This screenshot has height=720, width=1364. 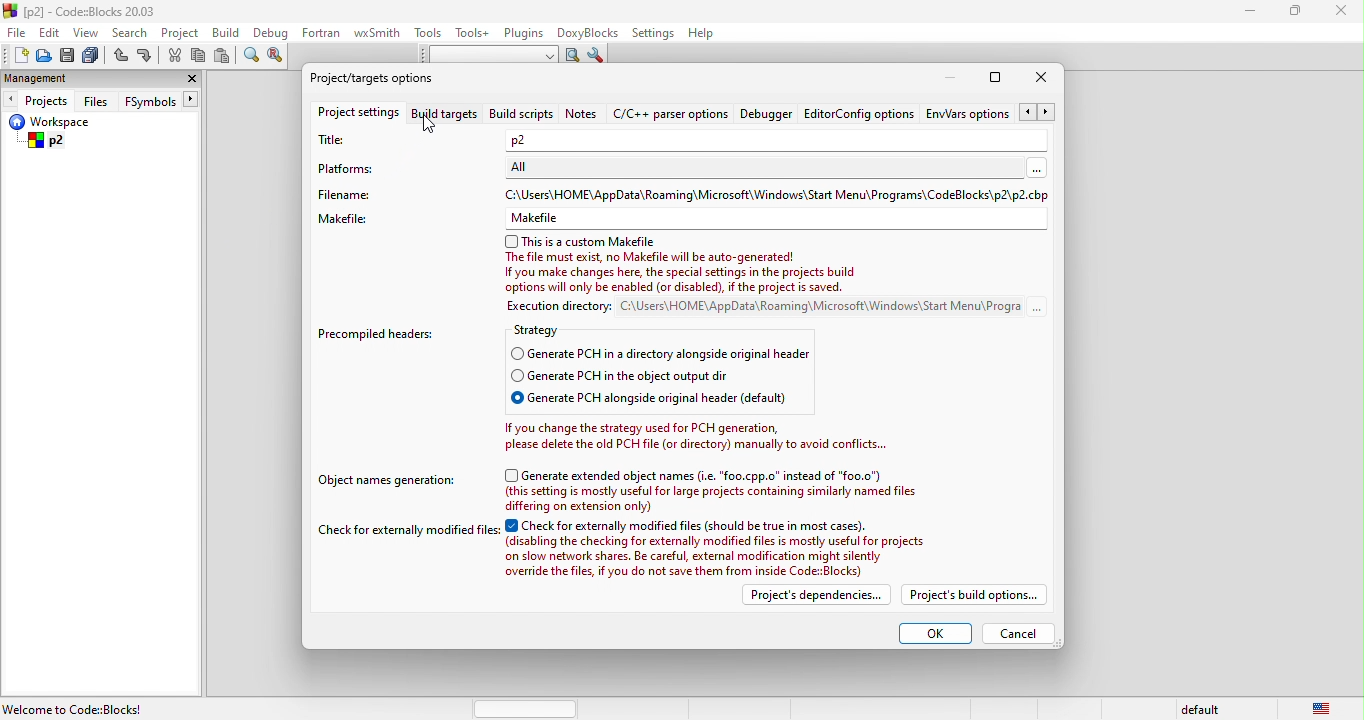 What do you see at coordinates (382, 334) in the screenshot?
I see `precompiled headers` at bounding box center [382, 334].